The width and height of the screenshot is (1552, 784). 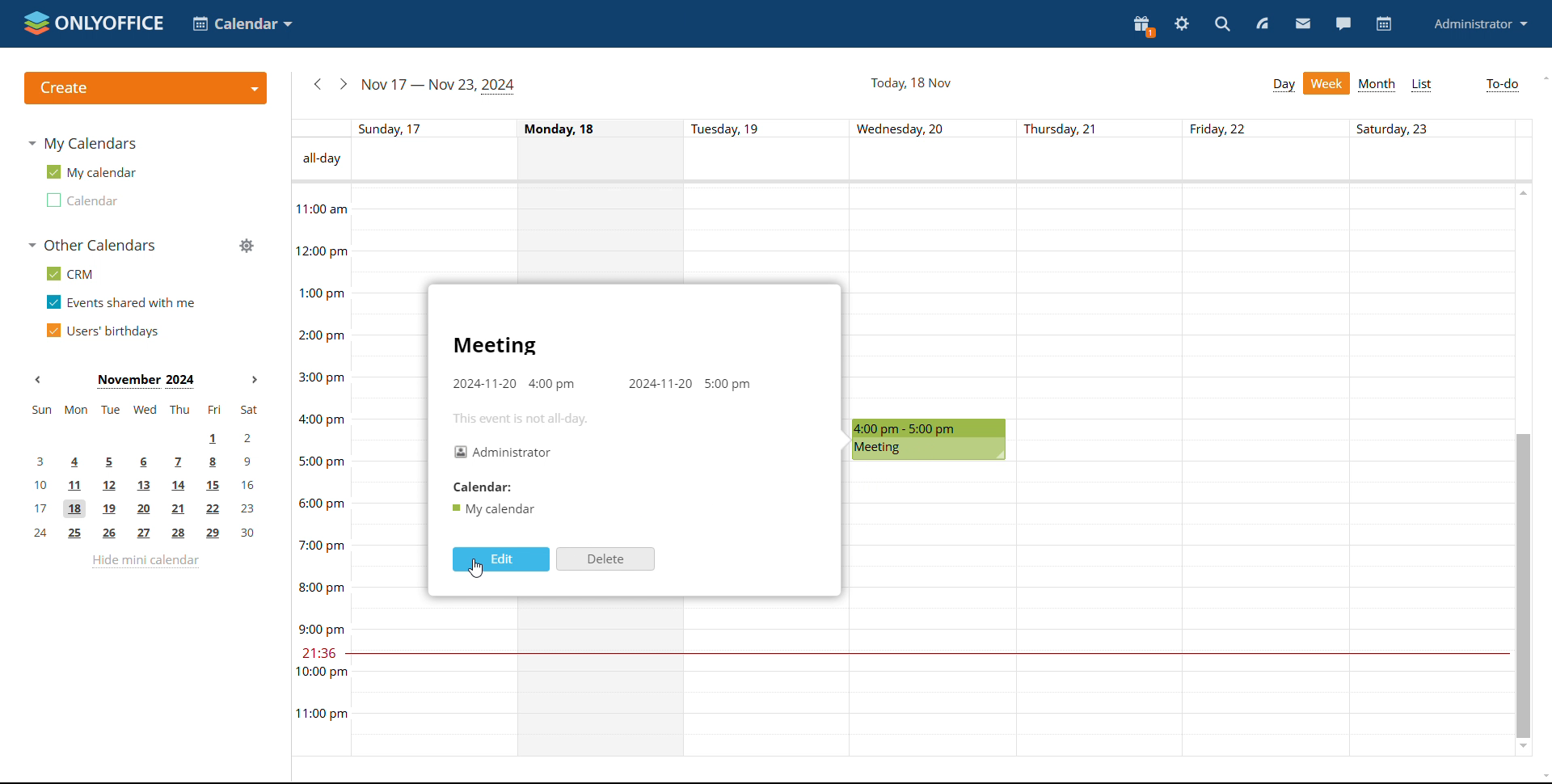 I want to click on settings, so click(x=1183, y=23).